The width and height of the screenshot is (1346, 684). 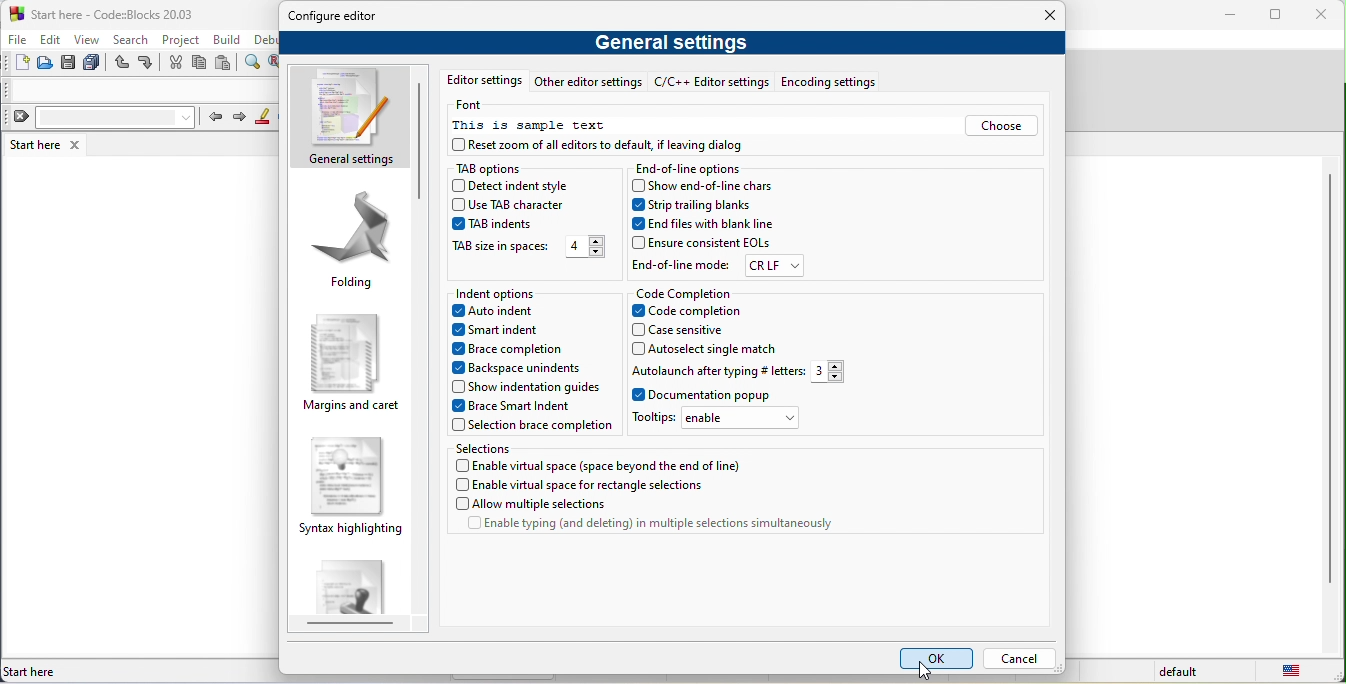 What do you see at coordinates (520, 205) in the screenshot?
I see `use tab character` at bounding box center [520, 205].